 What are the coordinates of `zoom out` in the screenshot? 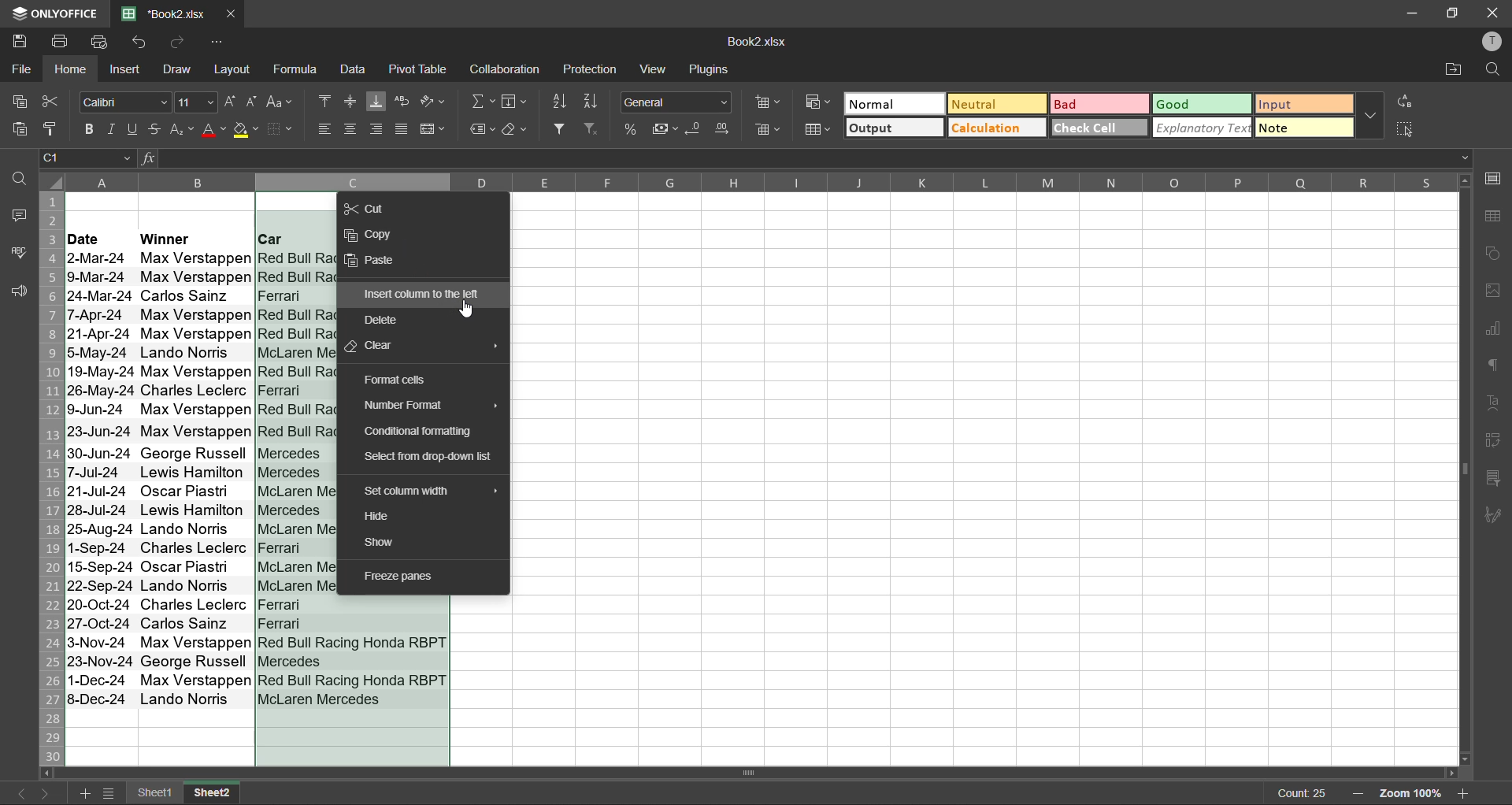 It's located at (1354, 793).